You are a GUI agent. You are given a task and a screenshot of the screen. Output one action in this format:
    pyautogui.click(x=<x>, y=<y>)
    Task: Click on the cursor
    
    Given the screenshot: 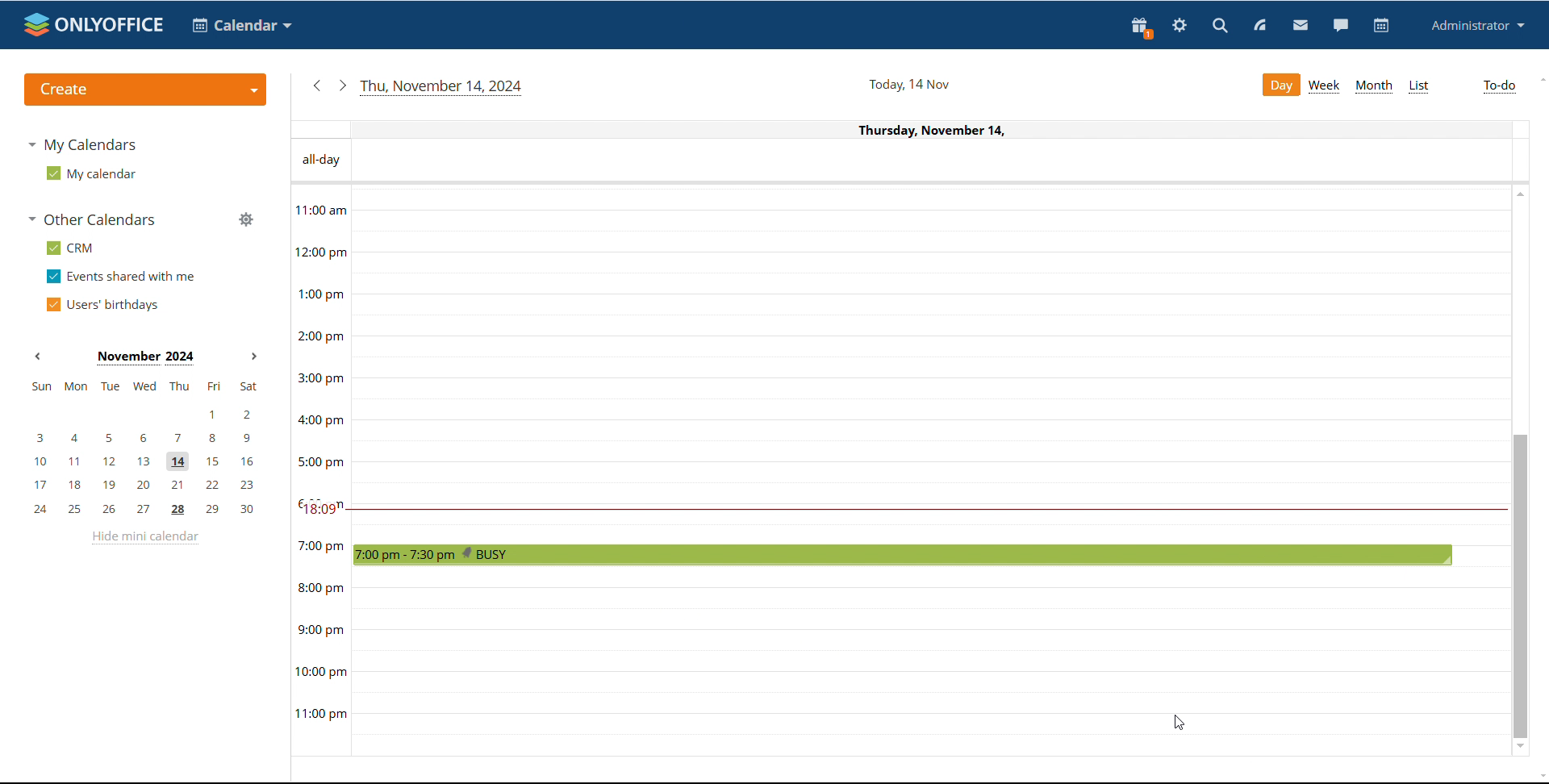 What is the action you would take?
    pyautogui.click(x=1179, y=723)
    